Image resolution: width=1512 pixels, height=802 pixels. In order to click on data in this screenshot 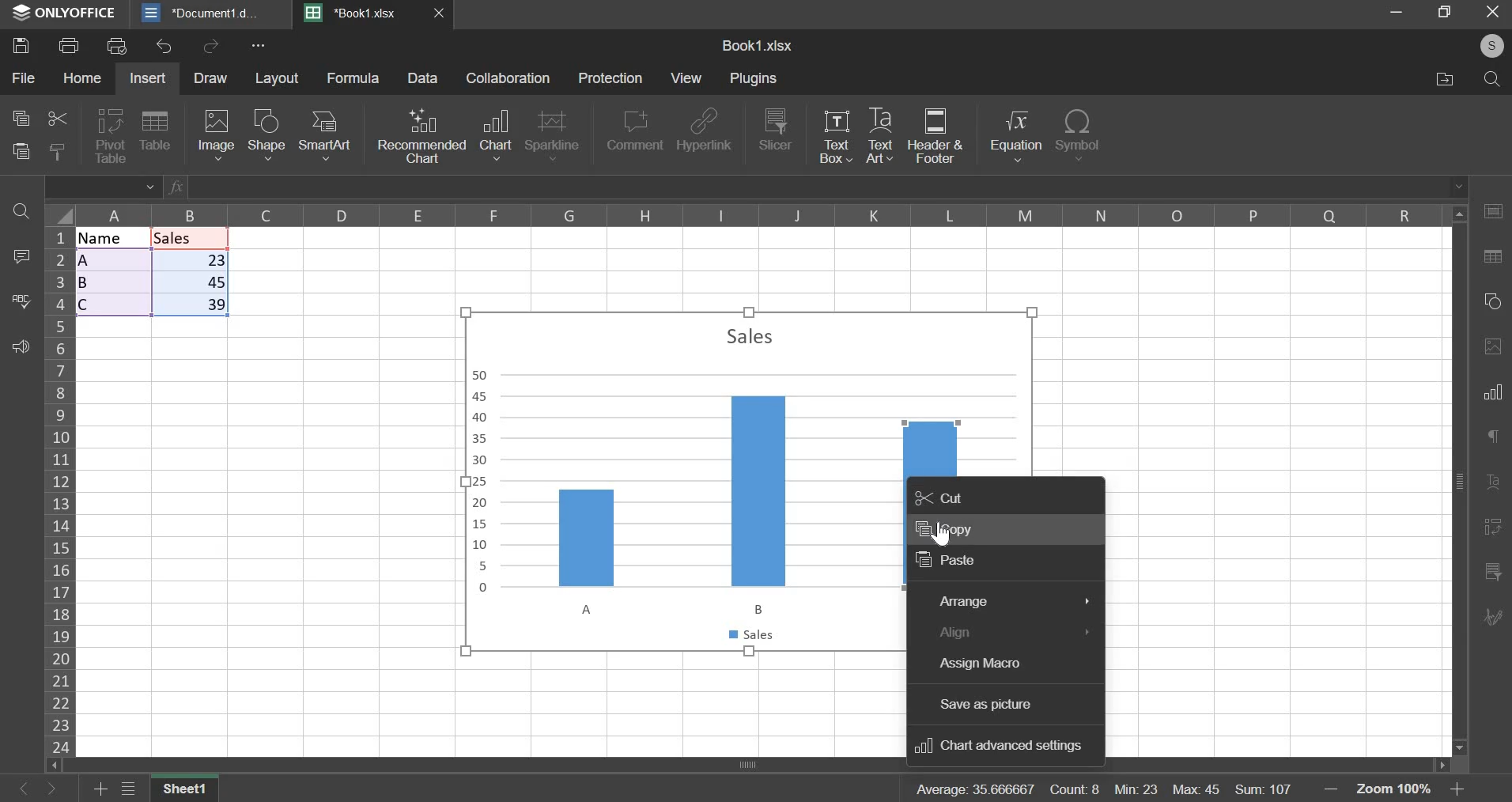, I will do `click(154, 273)`.